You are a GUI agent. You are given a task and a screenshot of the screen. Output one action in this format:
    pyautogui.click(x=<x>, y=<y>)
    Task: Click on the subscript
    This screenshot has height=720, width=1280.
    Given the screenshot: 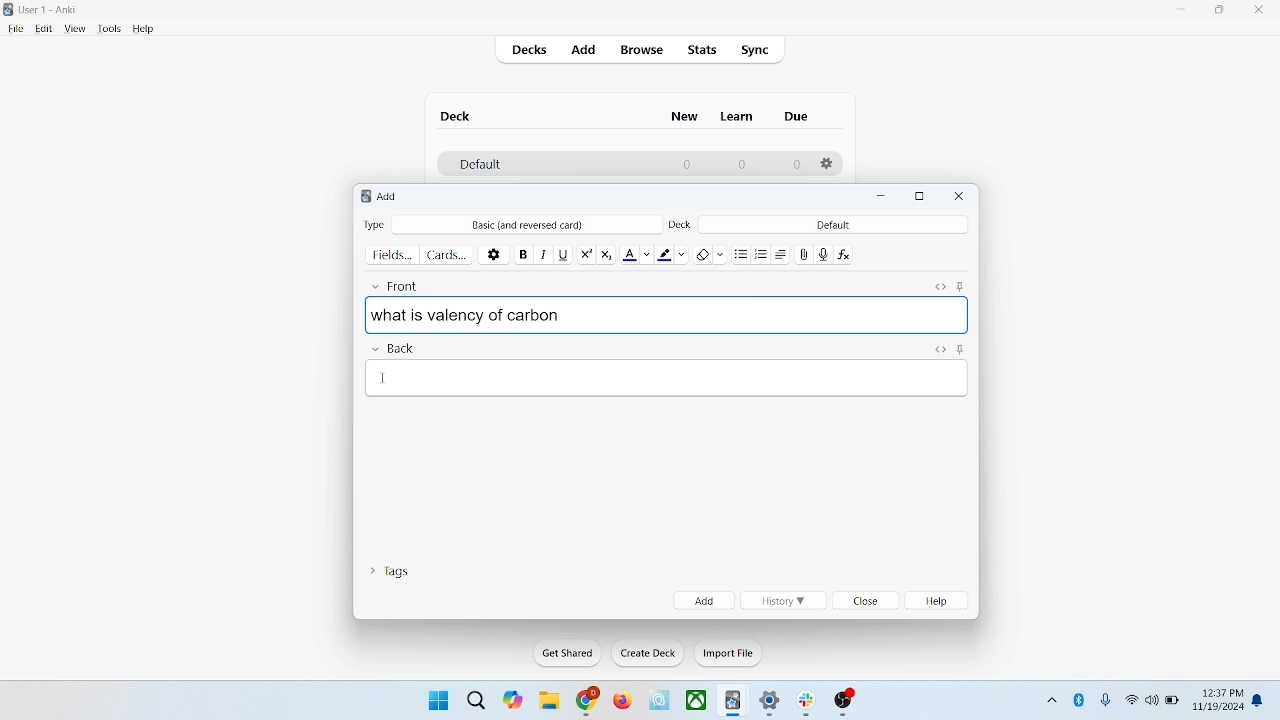 What is the action you would take?
    pyautogui.click(x=606, y=252)
    